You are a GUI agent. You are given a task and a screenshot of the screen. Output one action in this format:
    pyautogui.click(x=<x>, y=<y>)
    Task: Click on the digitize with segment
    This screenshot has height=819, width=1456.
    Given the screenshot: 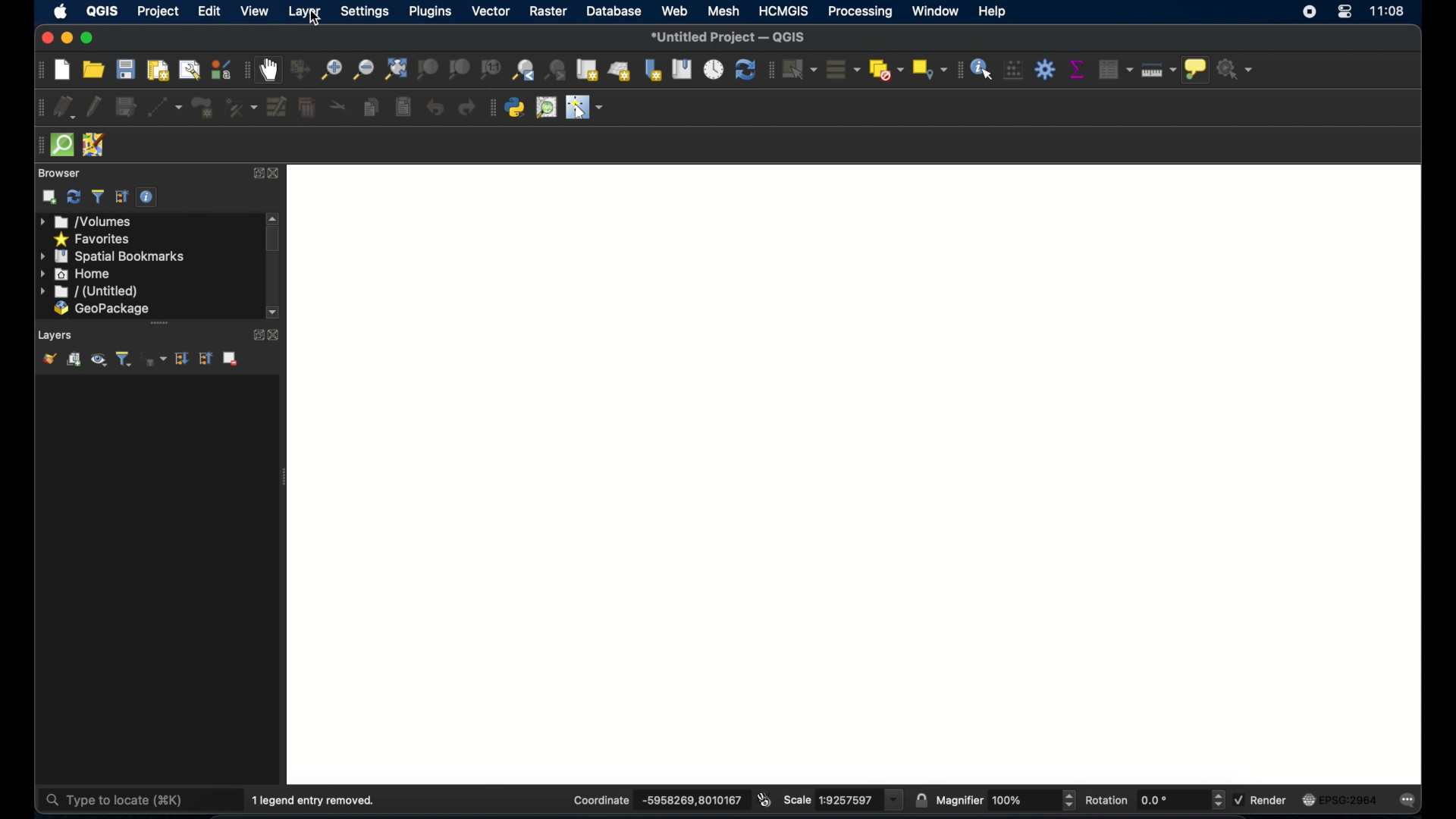 What is the action you would take?
    pyautogui.click(x=165, y=107)
    